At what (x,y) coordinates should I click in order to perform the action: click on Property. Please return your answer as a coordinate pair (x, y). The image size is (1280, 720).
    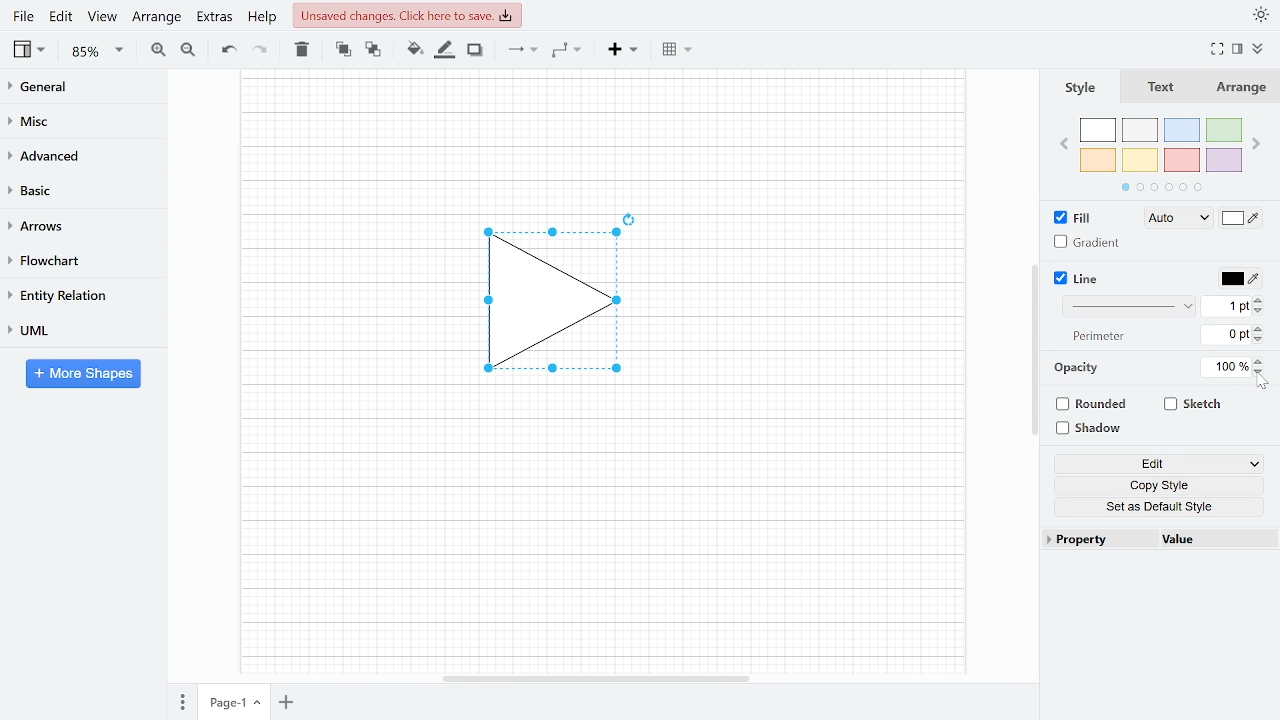
    Looking at the image, I should click on (1098, 540).